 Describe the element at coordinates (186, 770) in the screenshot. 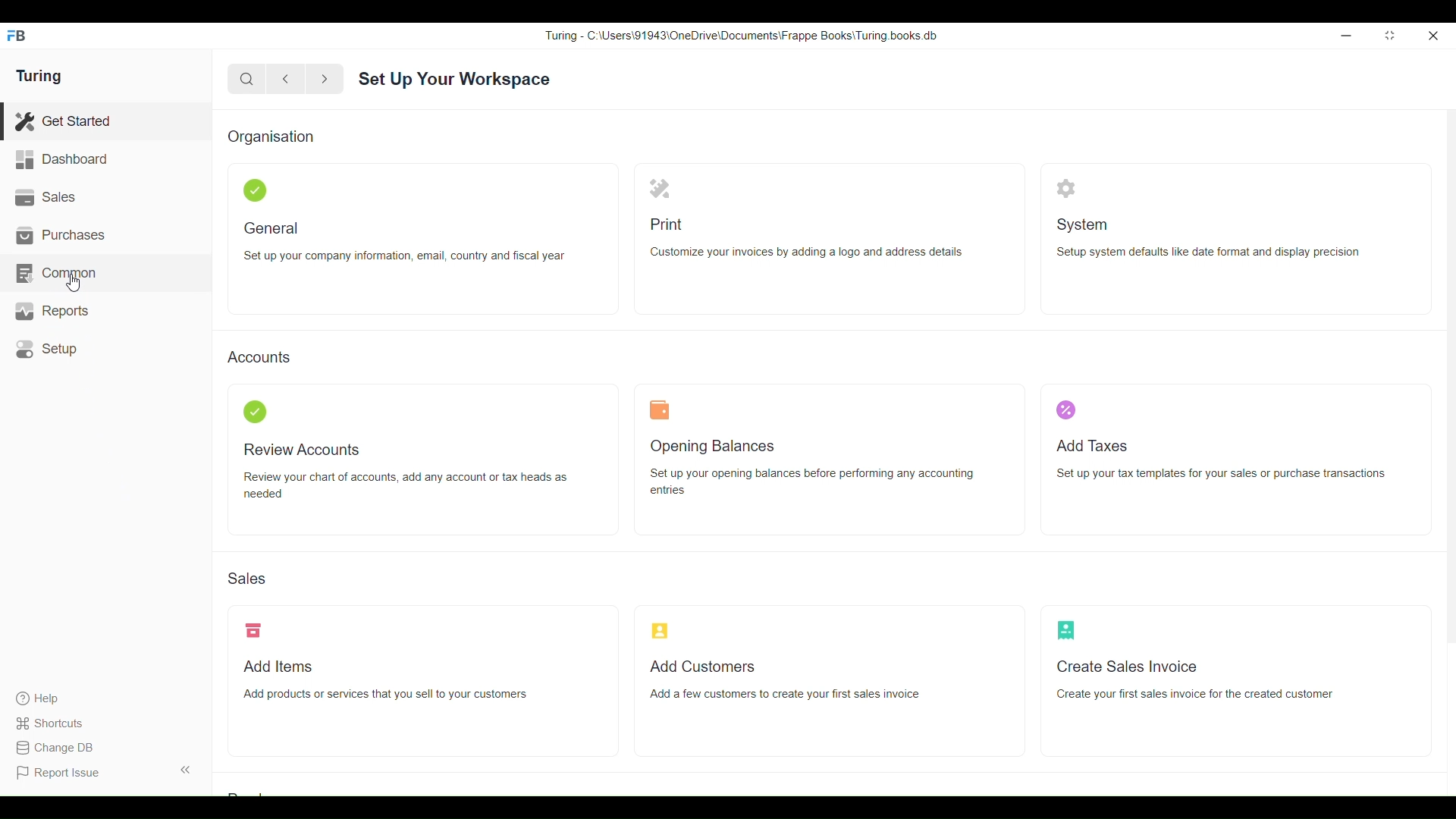

I see `Collapse sidebar` at that location.